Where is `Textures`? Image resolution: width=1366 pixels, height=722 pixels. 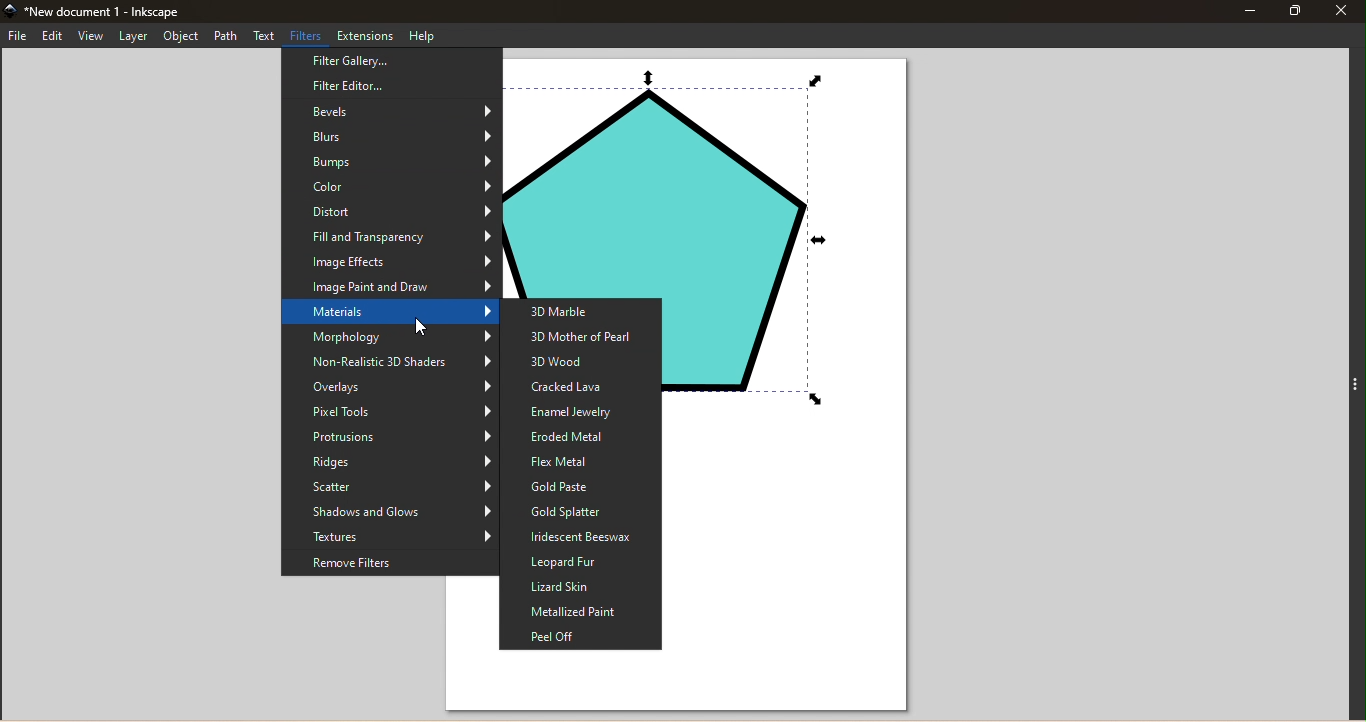
Textures is located at coordinates (389, 538).